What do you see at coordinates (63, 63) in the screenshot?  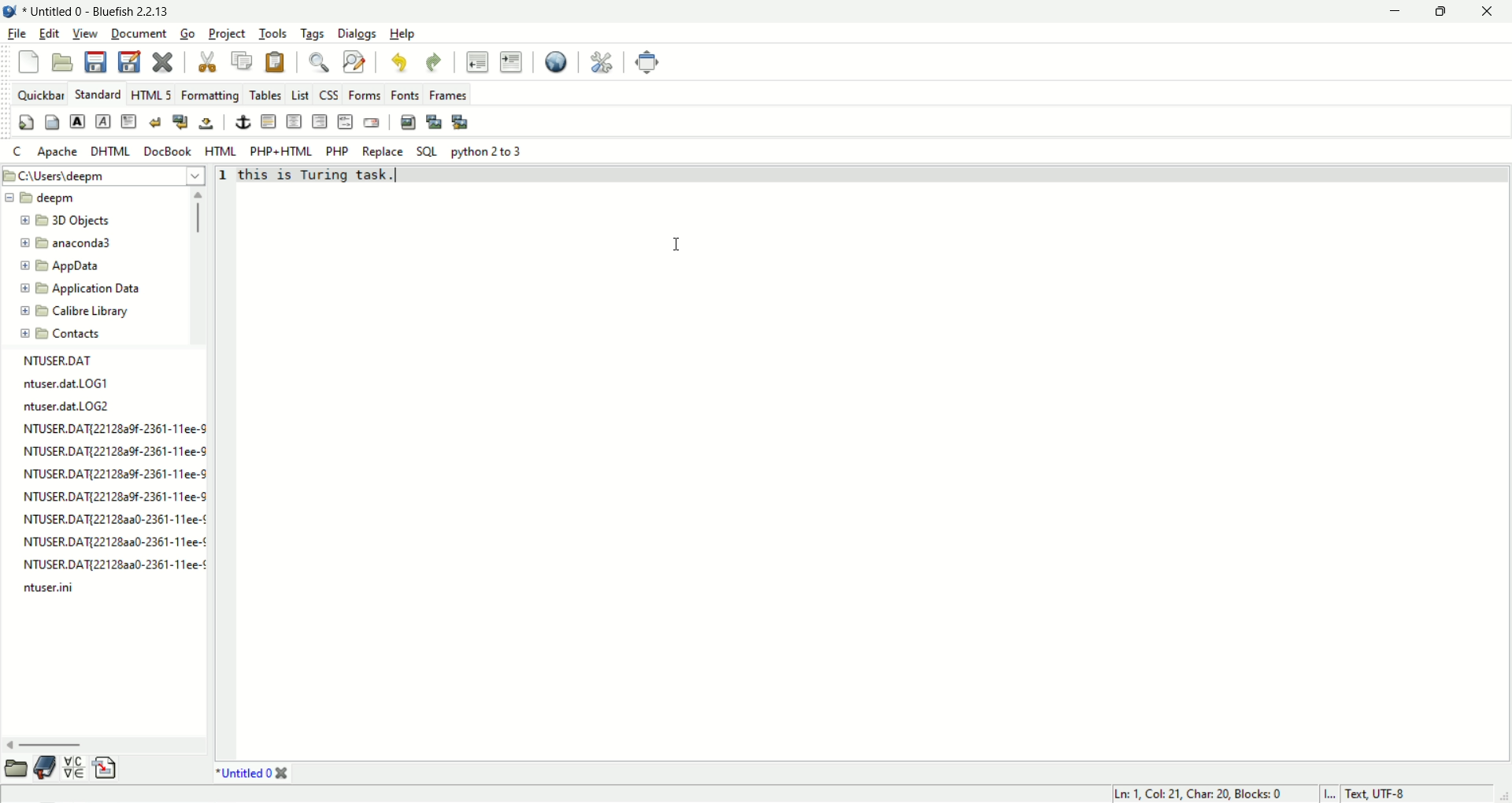 I see `open file` at bounding box center [63, 63].